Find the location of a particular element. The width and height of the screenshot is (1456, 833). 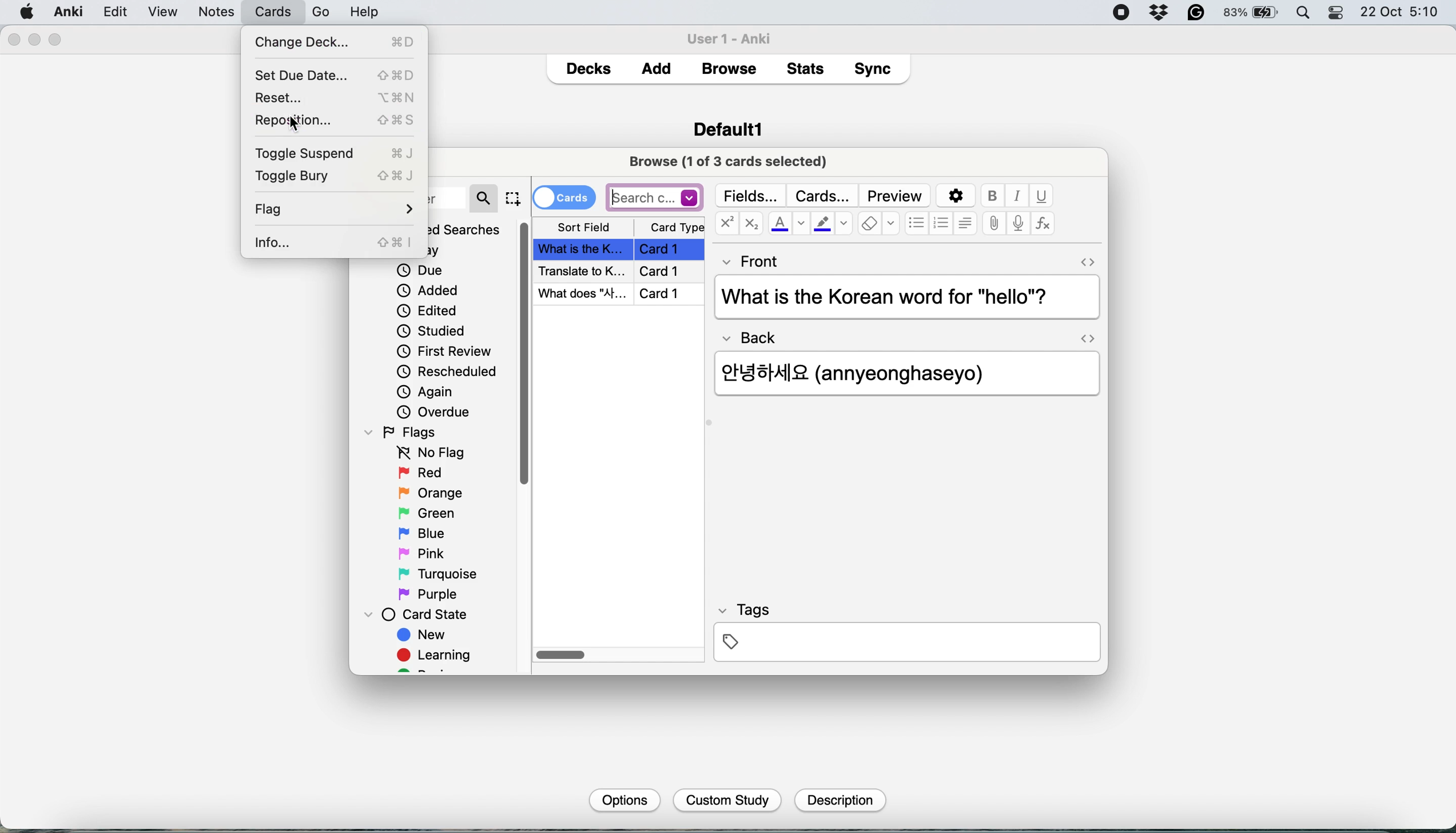

file is located at coordinates (114, 12).